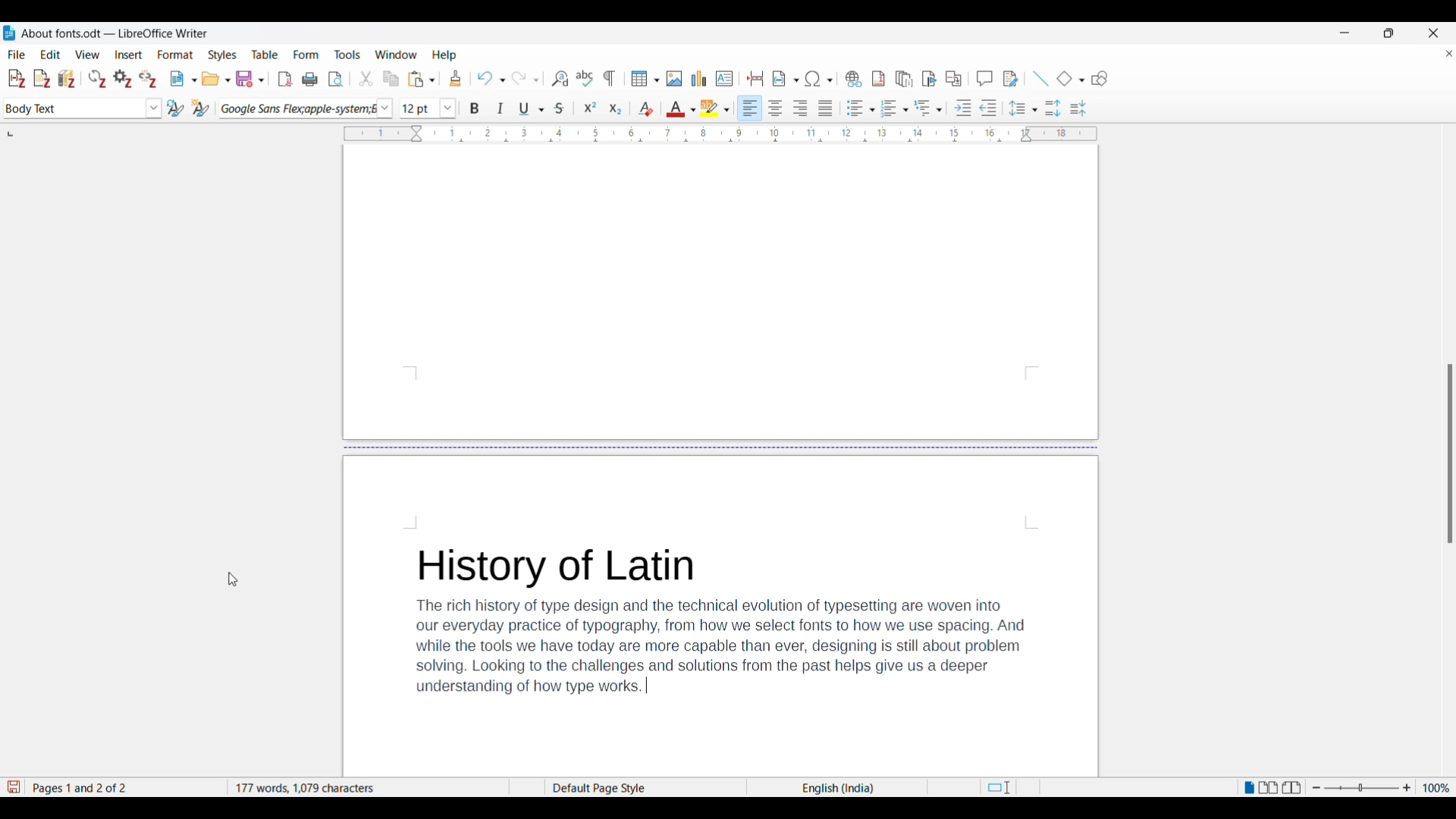  I want to click on Edit menu, so click(50, 54).